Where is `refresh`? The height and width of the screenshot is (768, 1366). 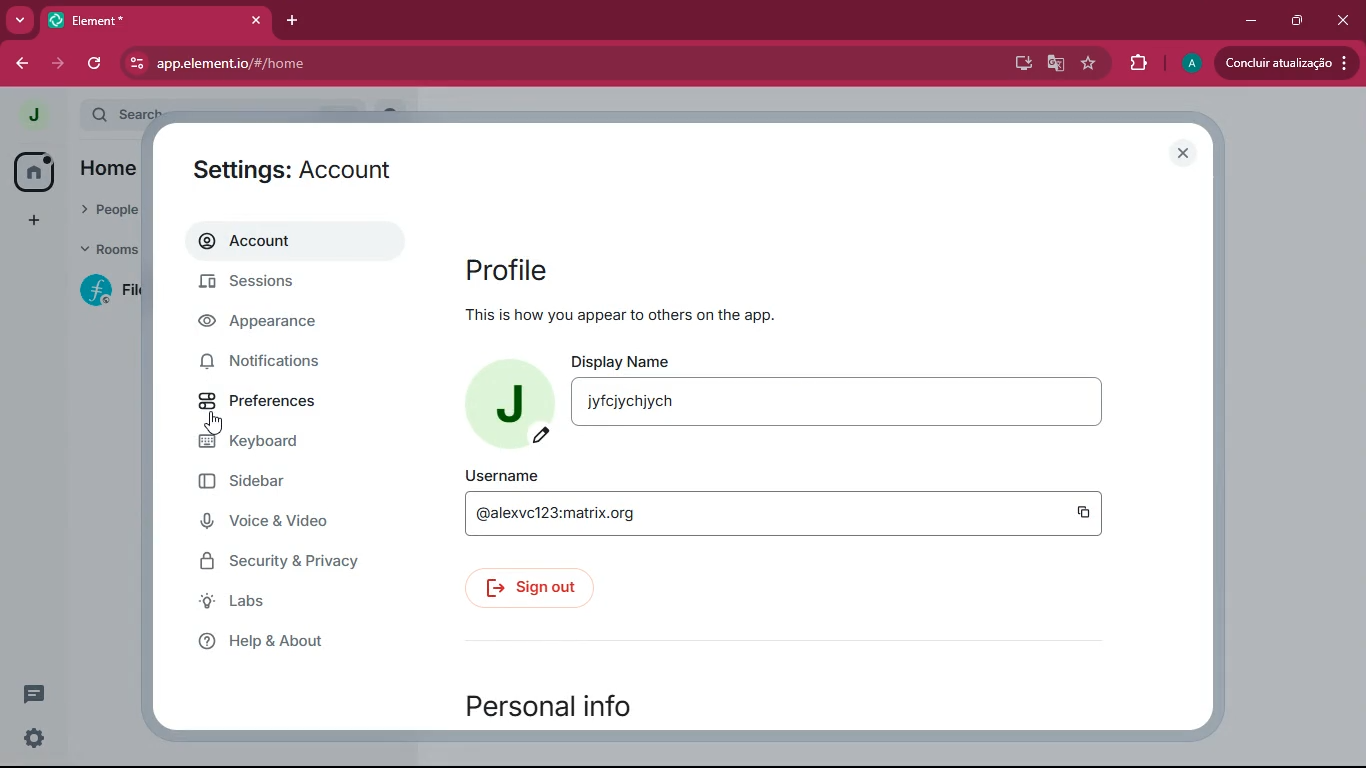 refresh is located at coordinates (102, 63).